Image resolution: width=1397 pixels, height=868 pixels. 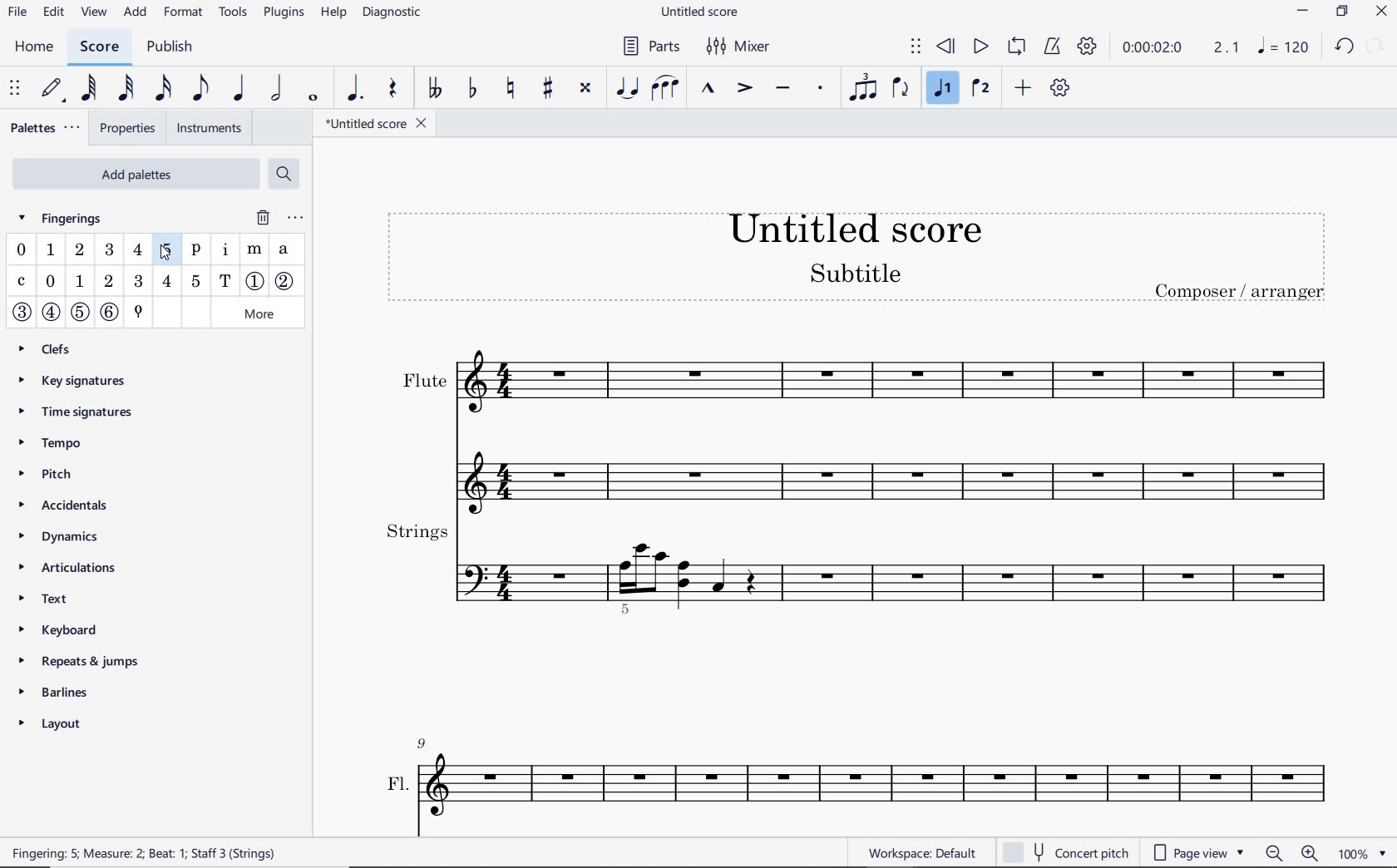 I want to click on voice 1, so click(x=943, y=89).